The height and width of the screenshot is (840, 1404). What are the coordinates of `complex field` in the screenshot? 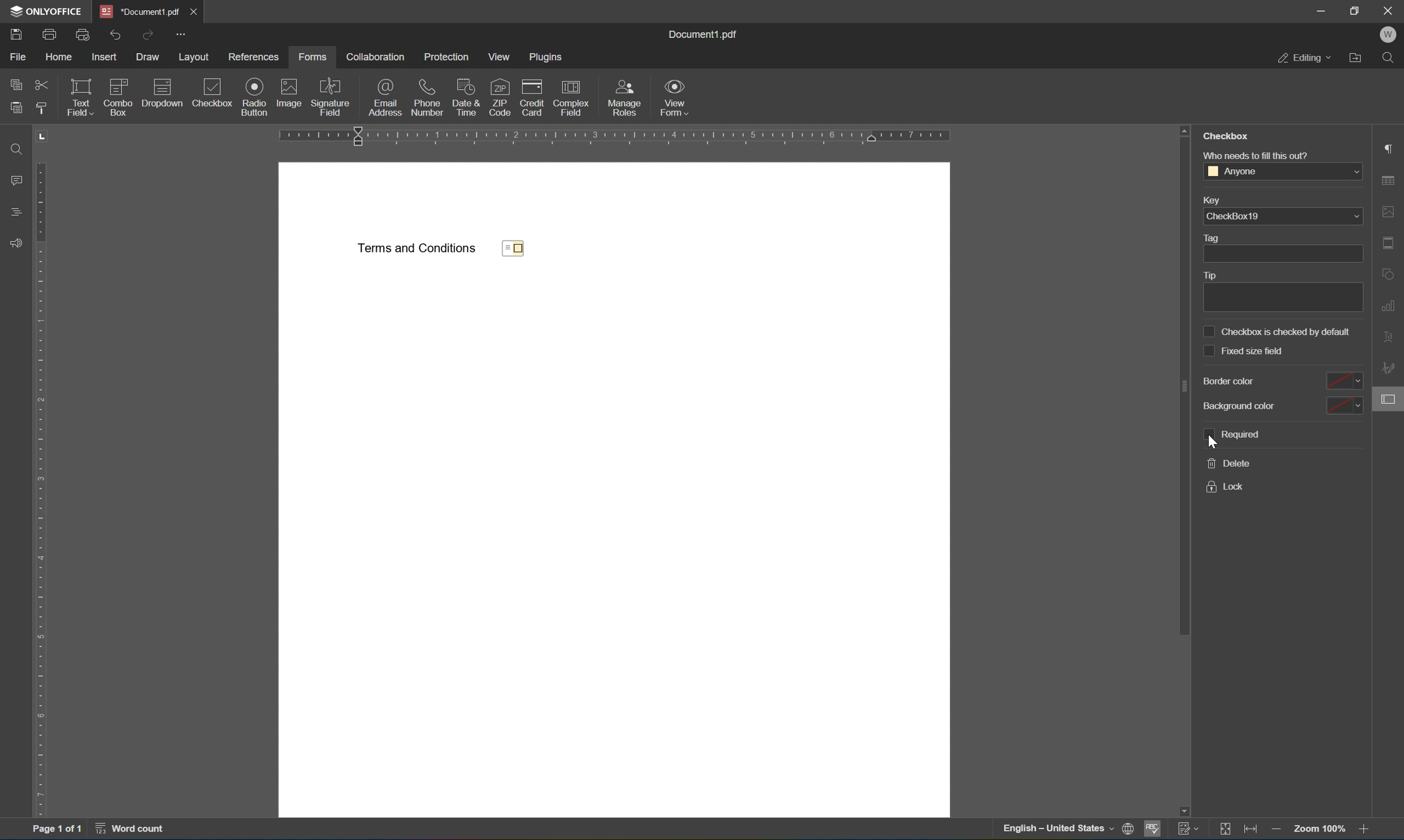 It's located at (571, 96).